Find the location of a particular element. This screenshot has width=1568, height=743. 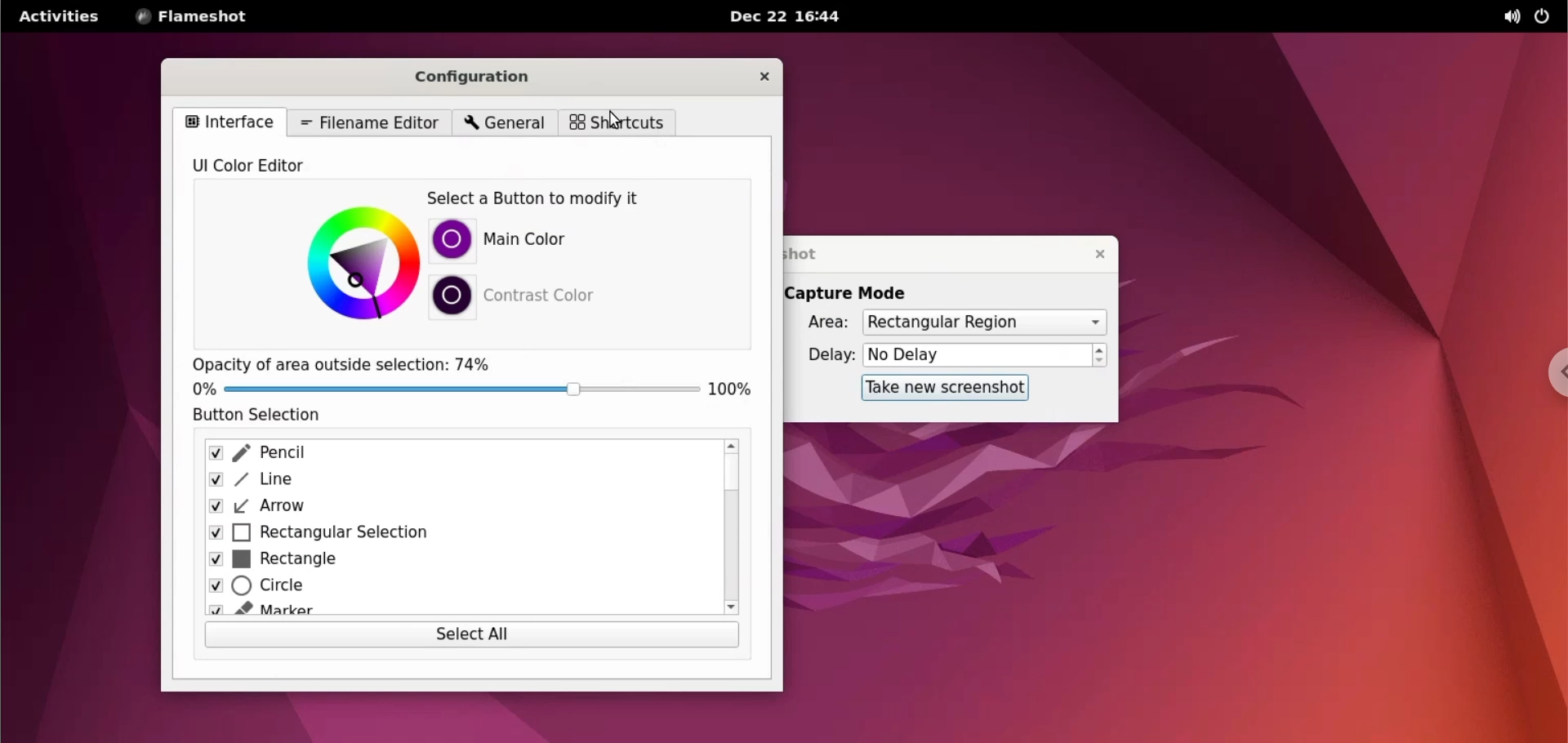

0% is located at coordinates (200, 391).